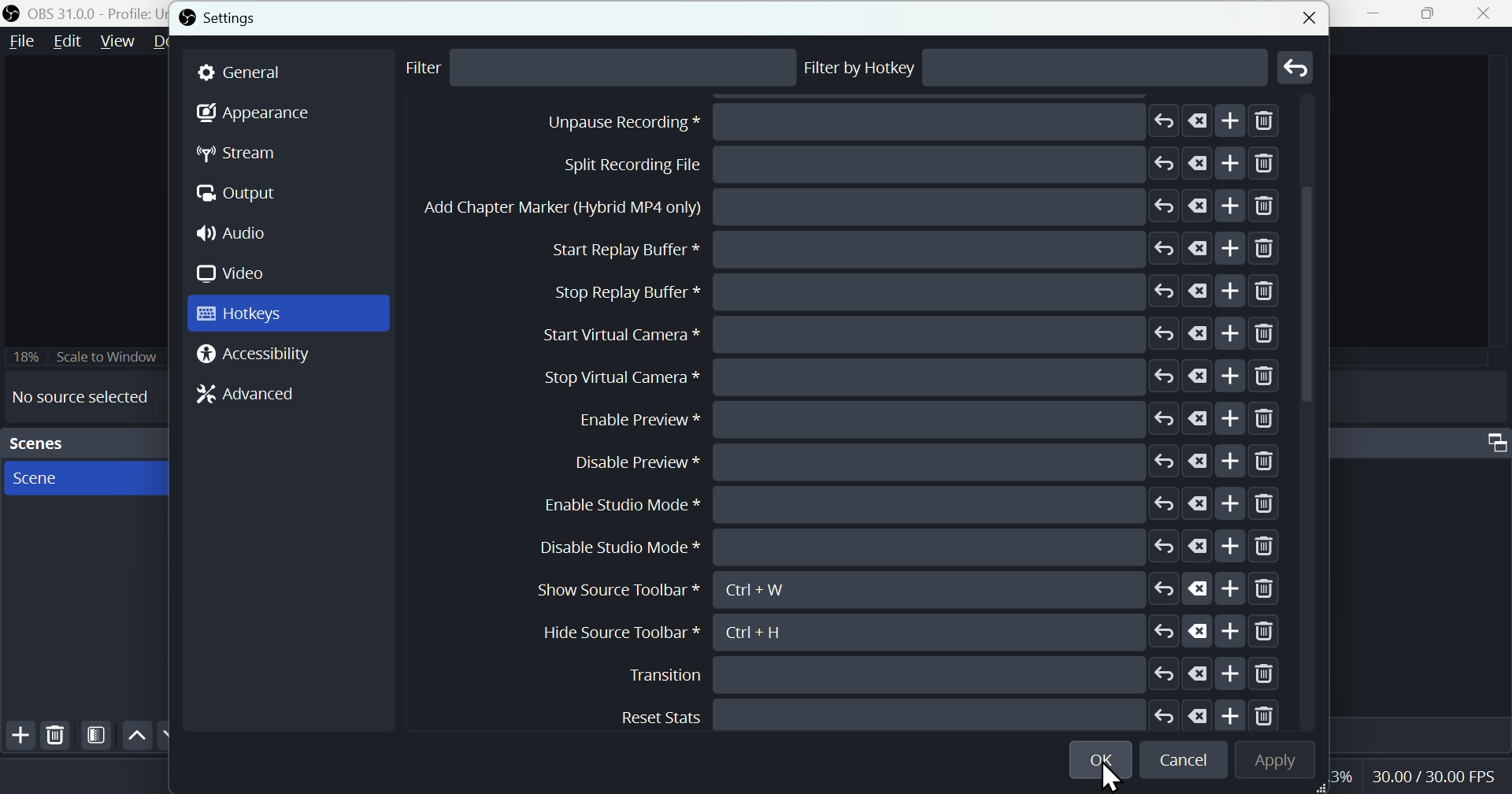  Describe the element at coordinates (622, 633) in the screenshot. I see `Height source toolbar` at that location.